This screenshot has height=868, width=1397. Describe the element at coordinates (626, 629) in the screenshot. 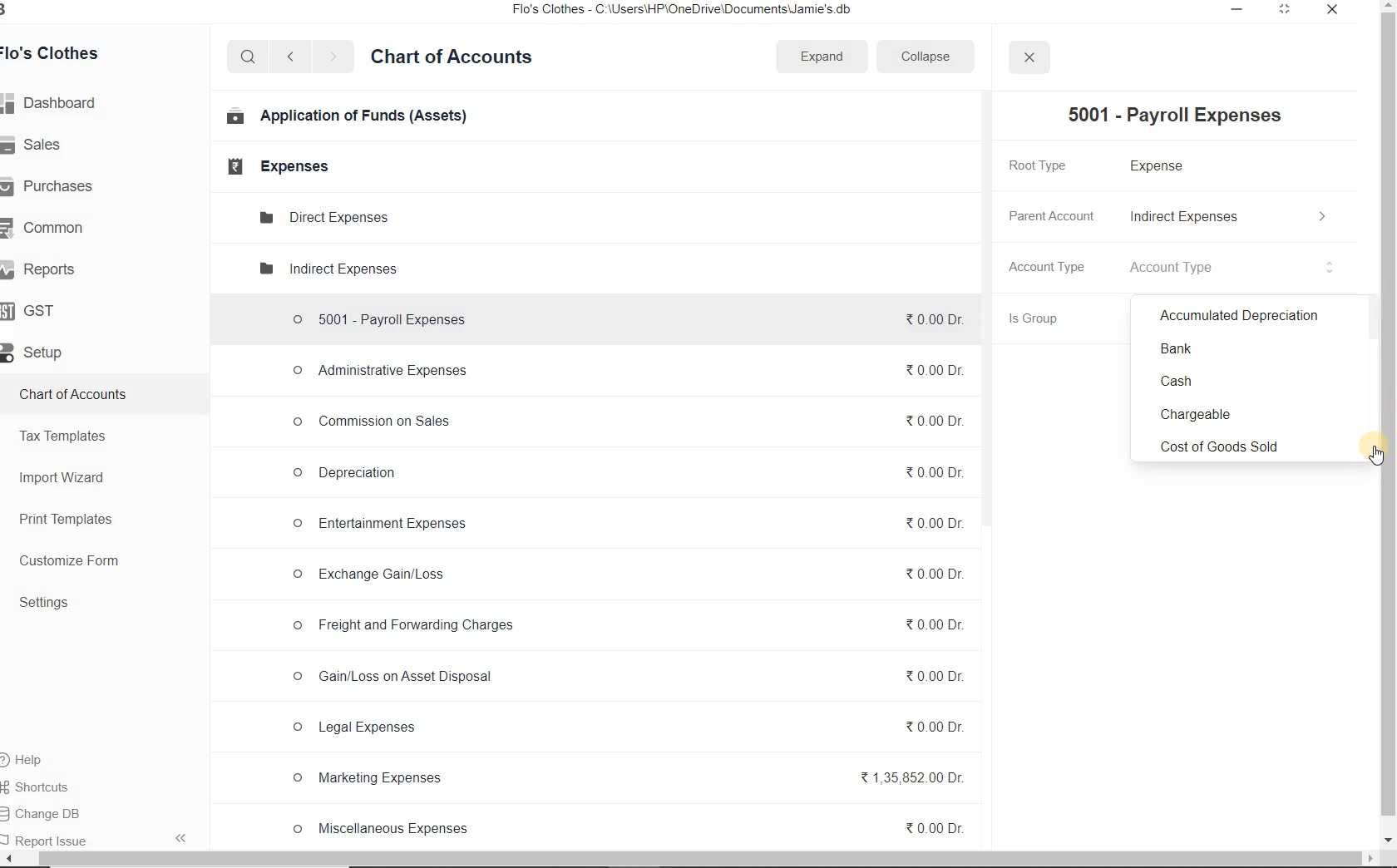

I see `© Freight and Forwarding Charges 0.00 Dr.` at that location.